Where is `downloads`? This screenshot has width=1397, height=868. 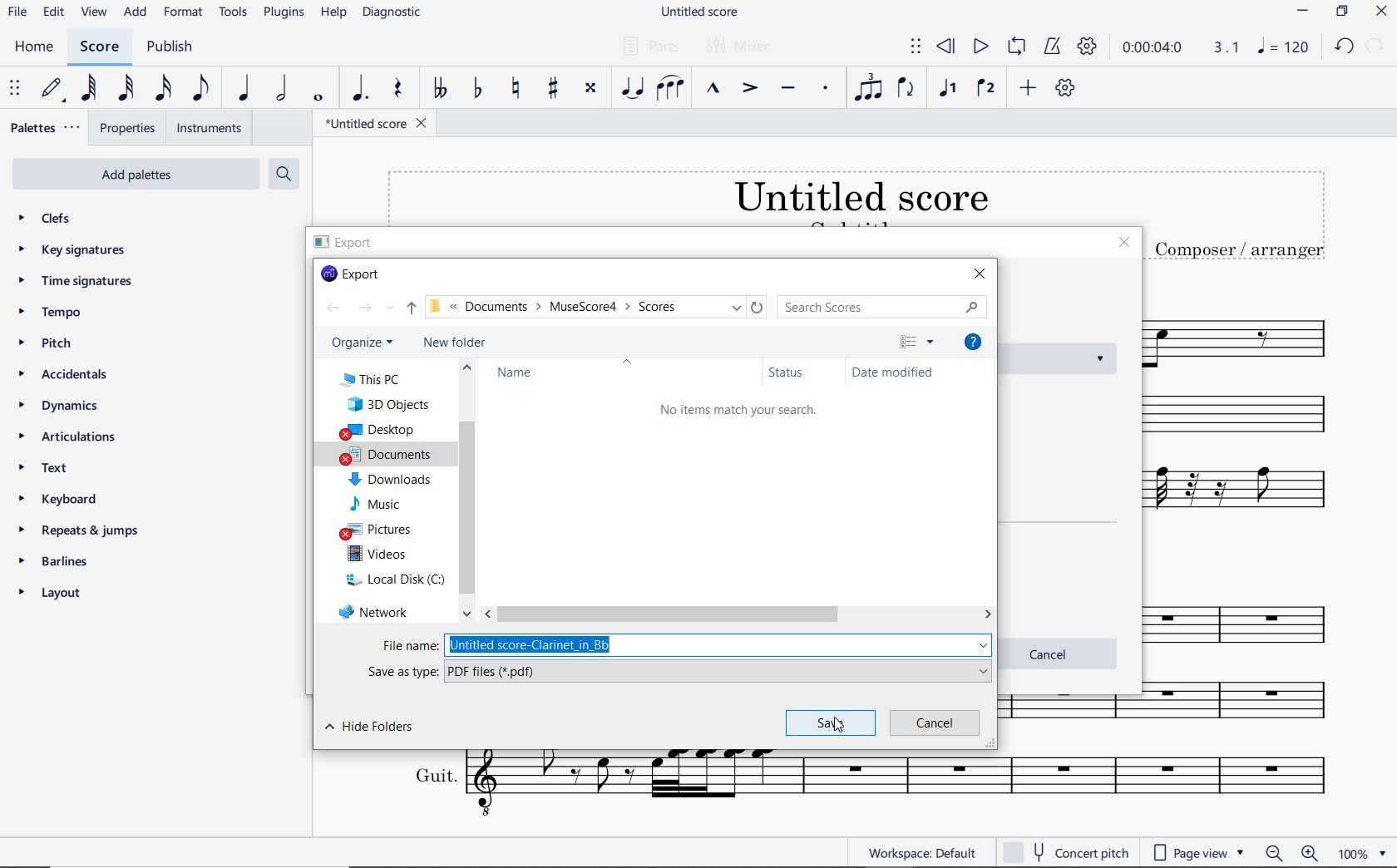 downloads is located at coordinates (392, 478).